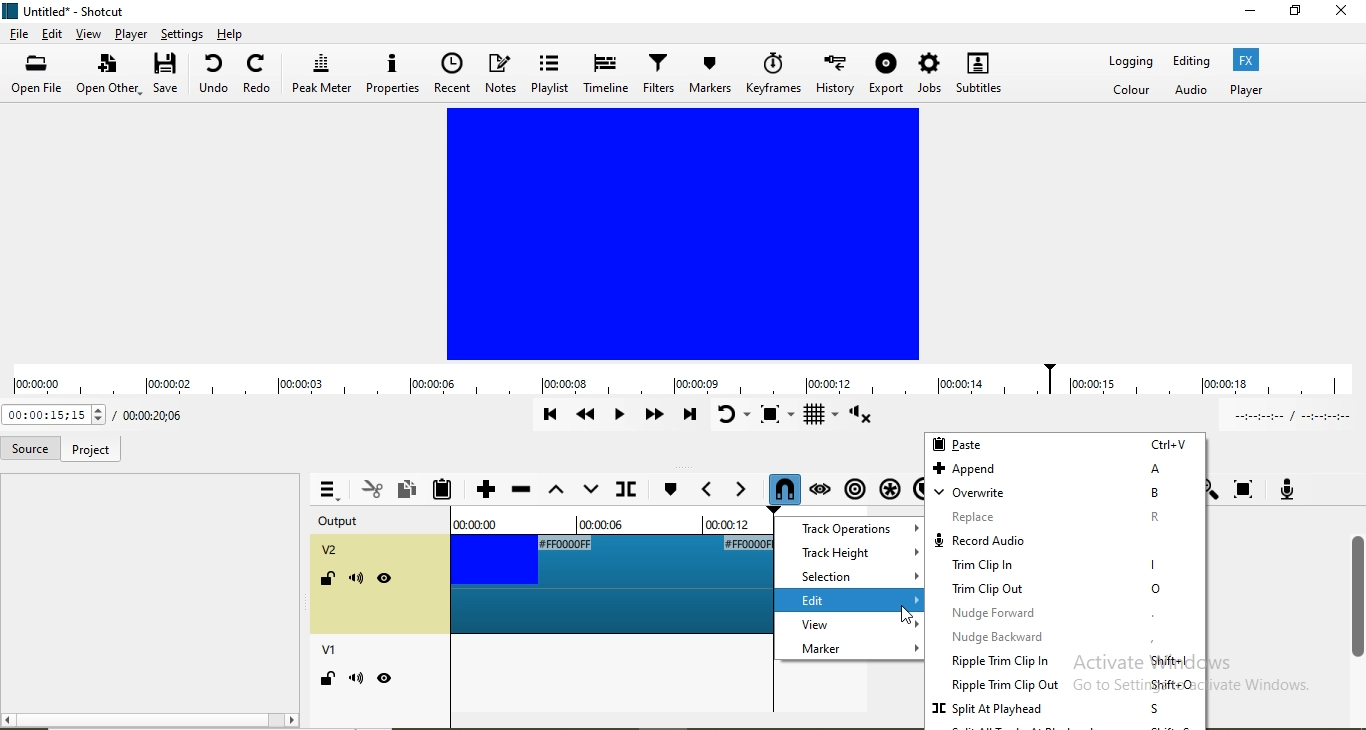 The image size is (1366, 730). I want to click on file name, so click(67, 13).